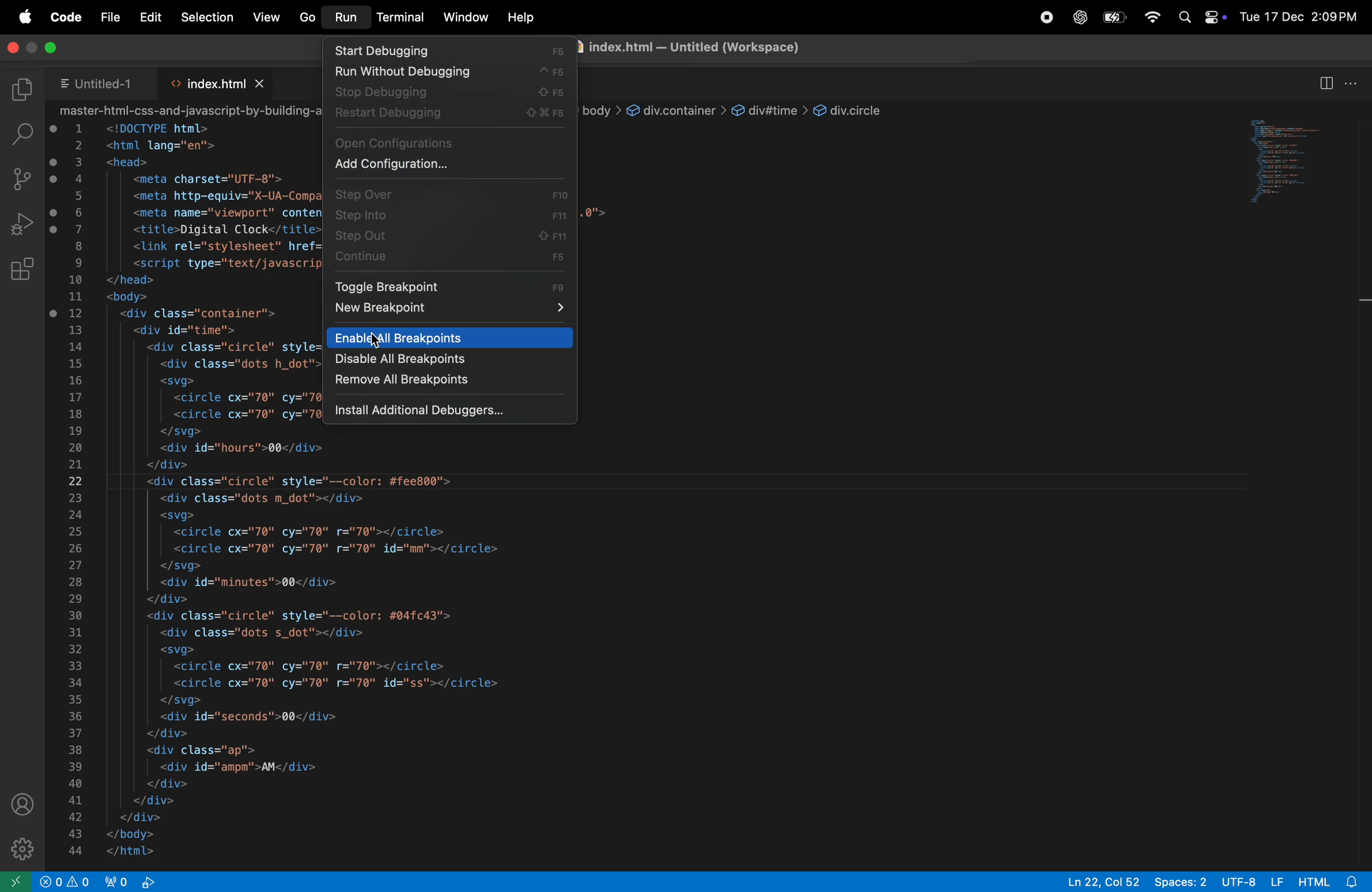  I want to click on file, so click(109, 18).